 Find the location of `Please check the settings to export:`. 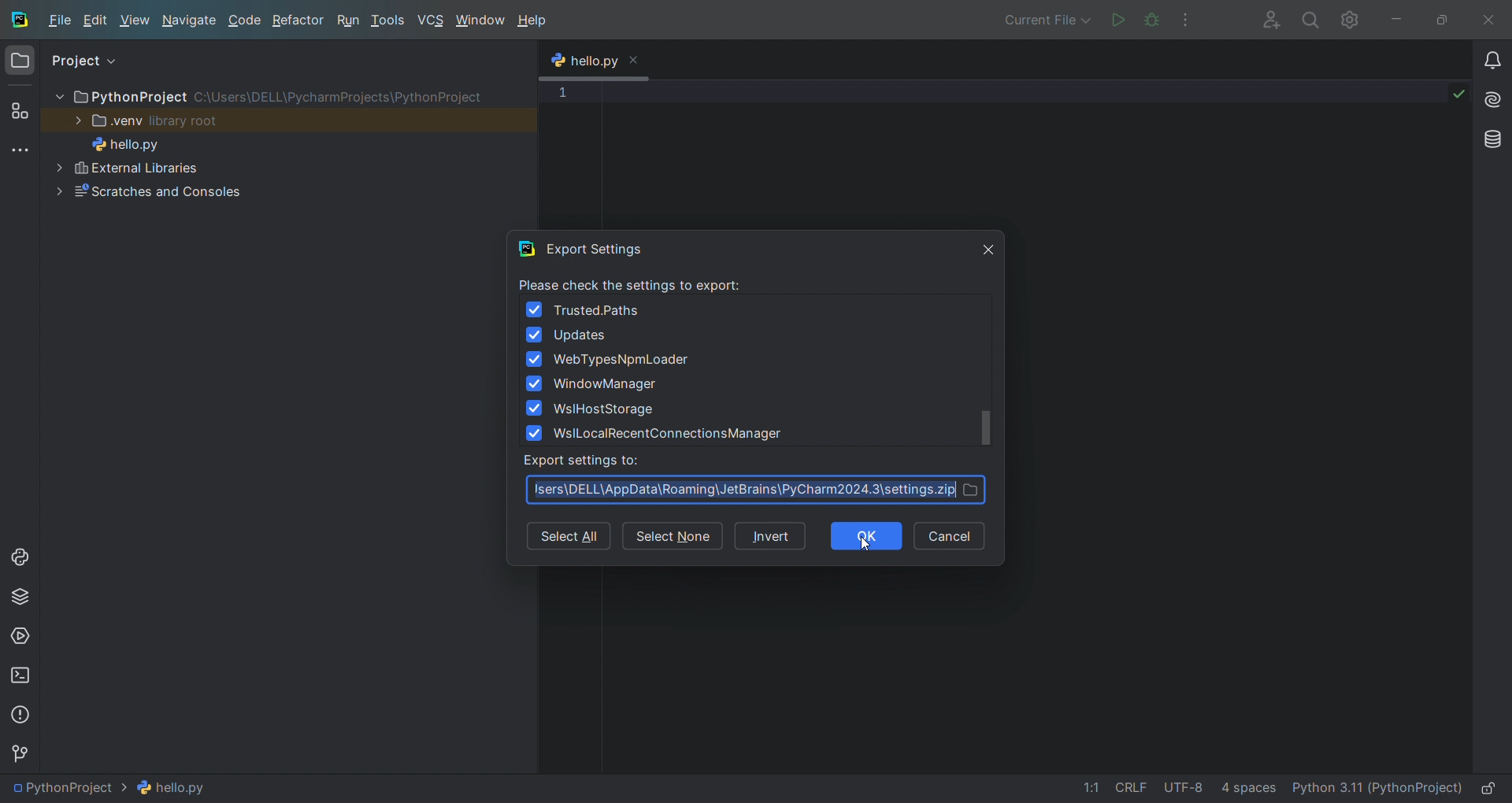

Please check the settings to export: is located at coordinates (636, 283).